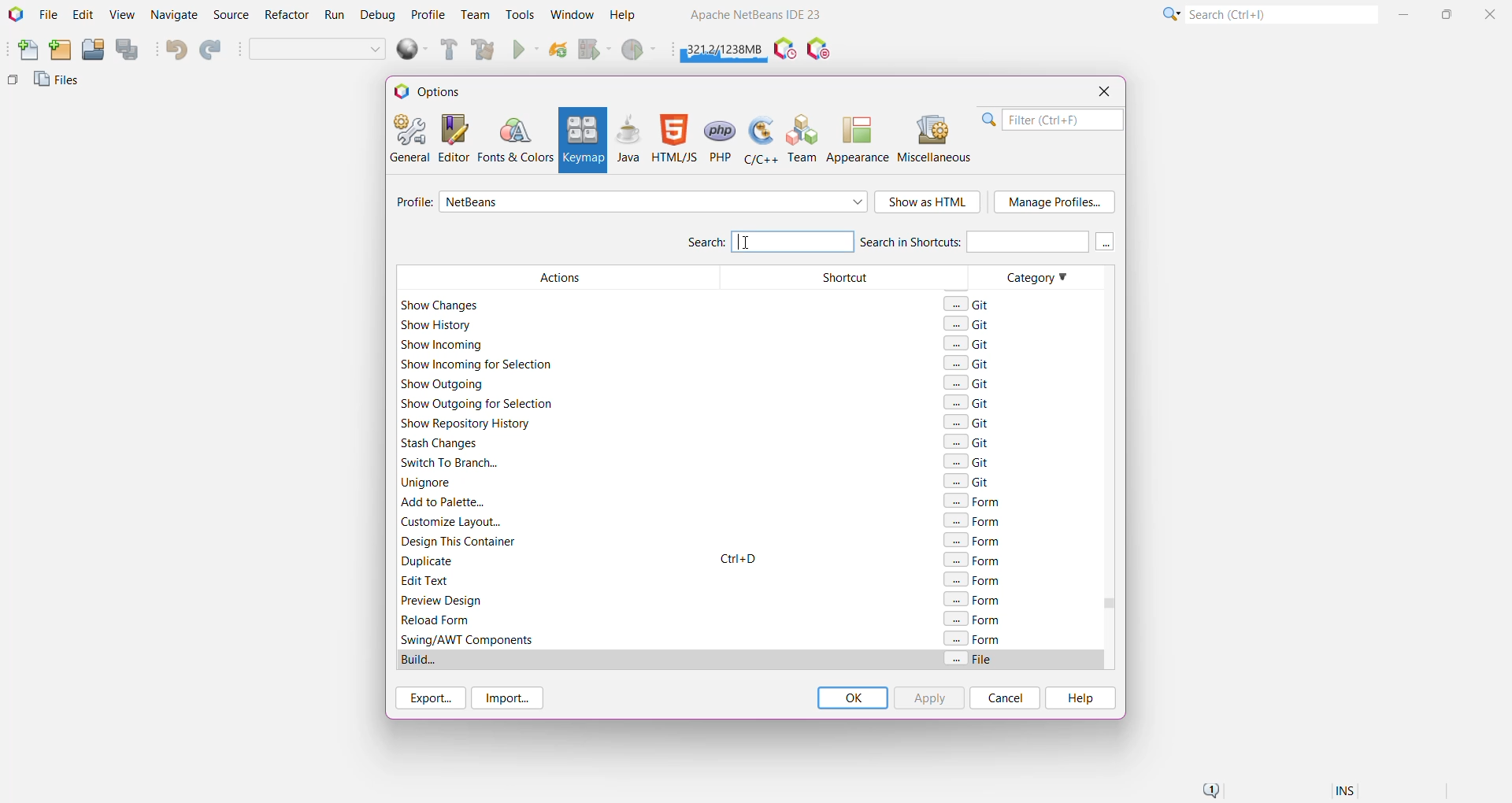  What do you see at coordinates (572, 14) in the screenshot?
I see `Window` at bounding box center [572, 14].